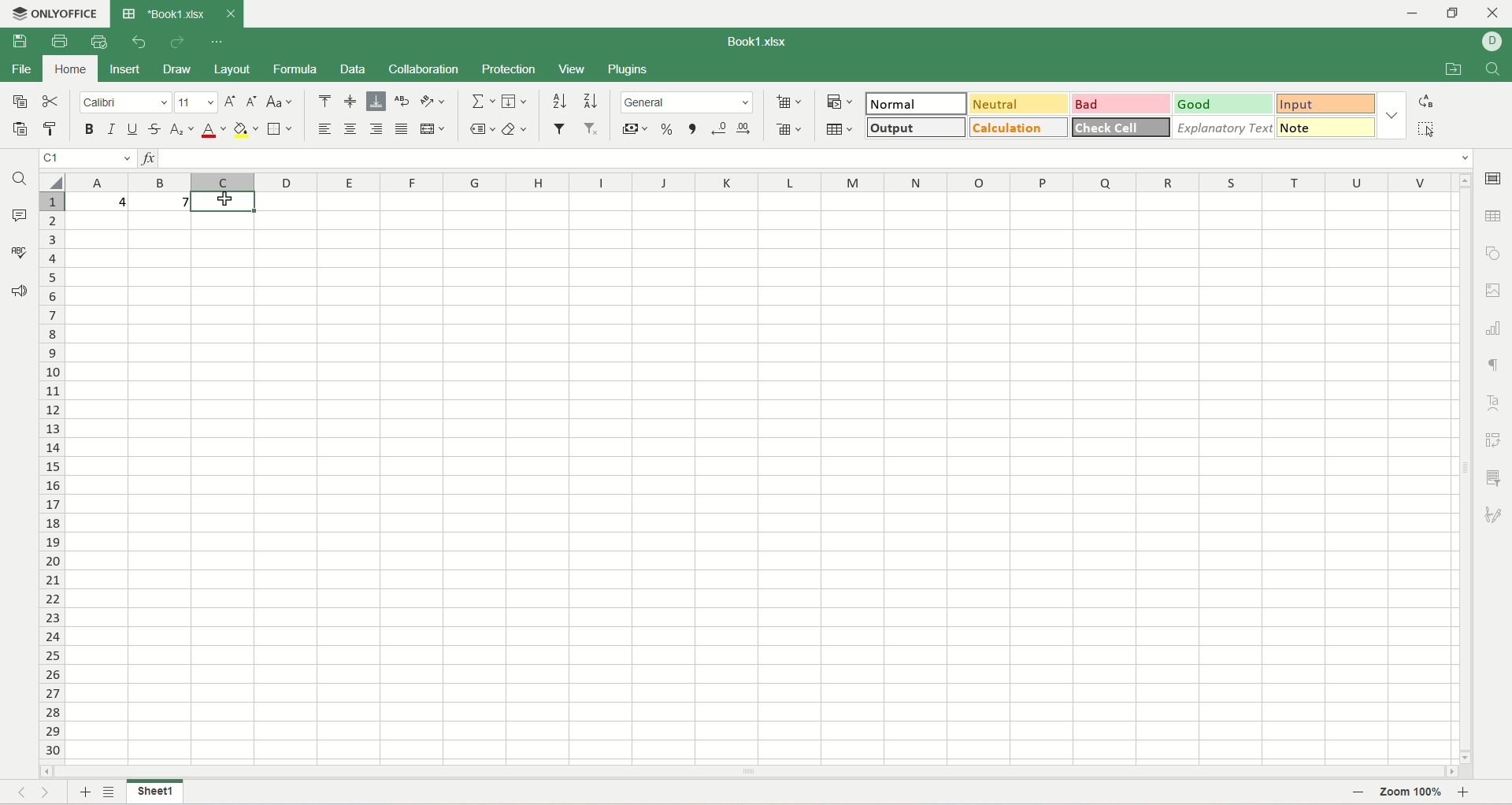 This screenshot has height=805, width=1512. What do you see at coordinates (157, 794) in the screenshot?
I see `sheet name` at bounding box center [157, 794].